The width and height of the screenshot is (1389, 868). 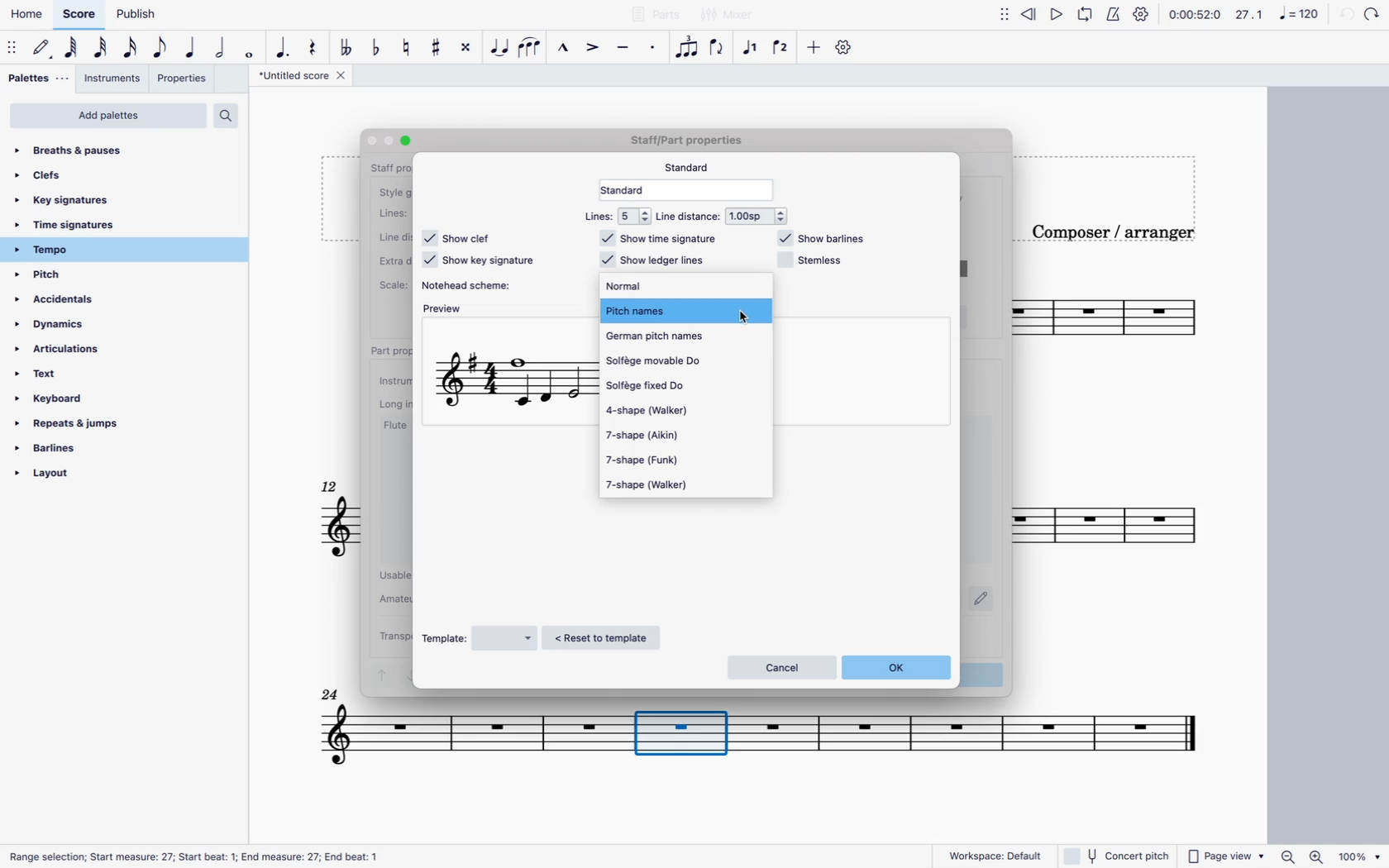 I want to click on 32nd note, so click(x=102, y=49).